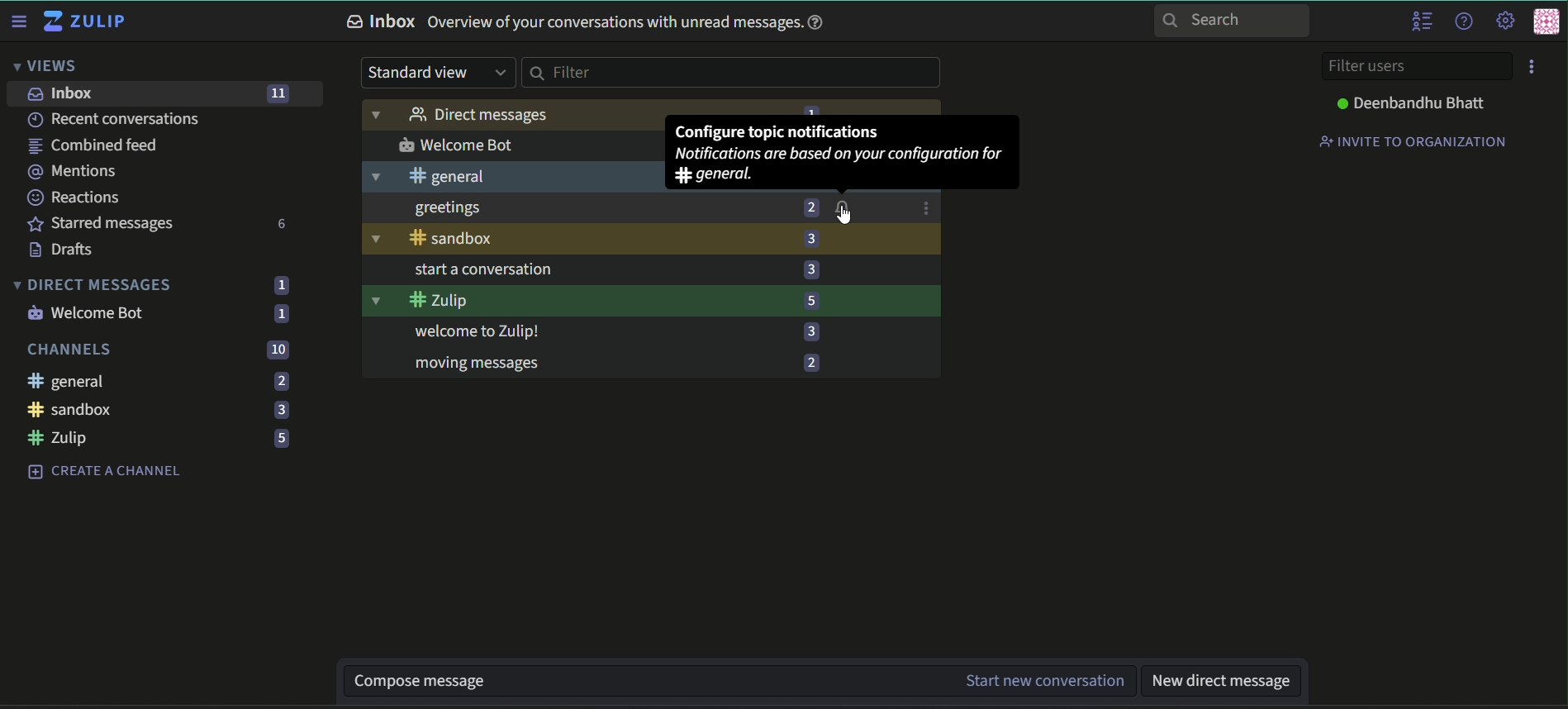 The width and height of the screenshot is (1568, 709). I want to click on number, so click(278, 93).